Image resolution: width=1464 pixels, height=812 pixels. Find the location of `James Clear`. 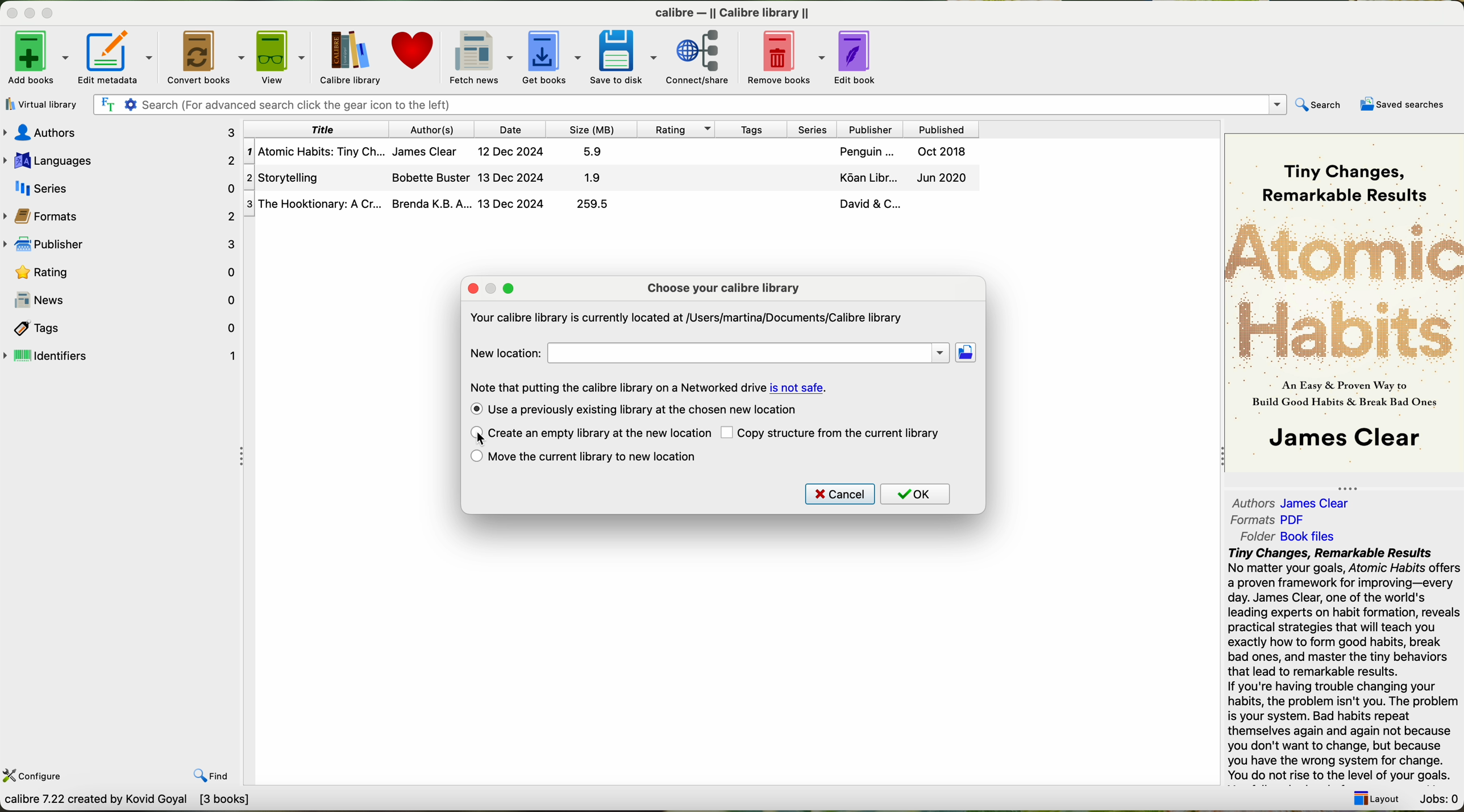

James Clear is located at coordinates (1343, 440).